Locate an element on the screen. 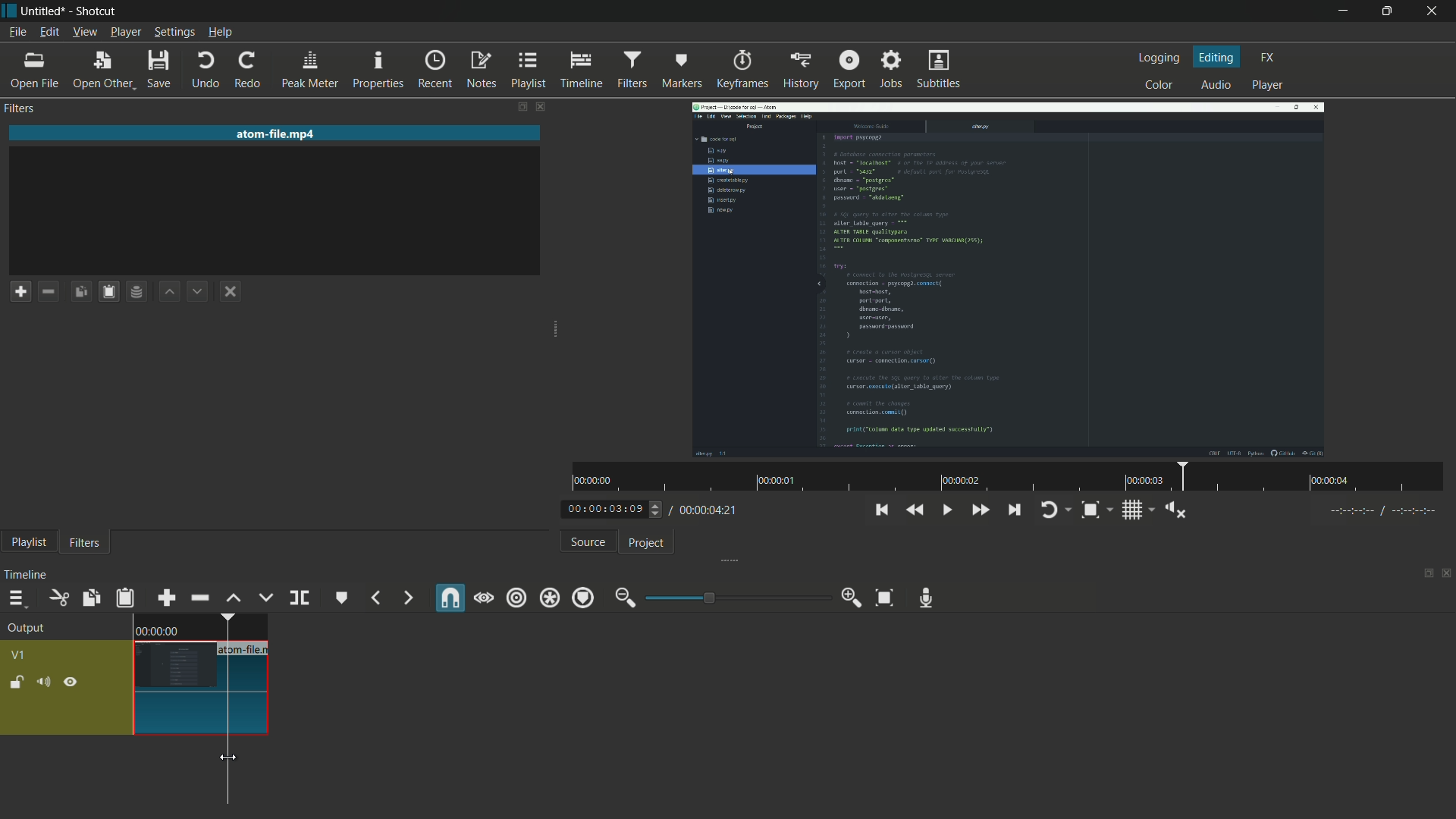 This screenshot has height=819, width=1456. help menu is located at coordinates (221, 33).